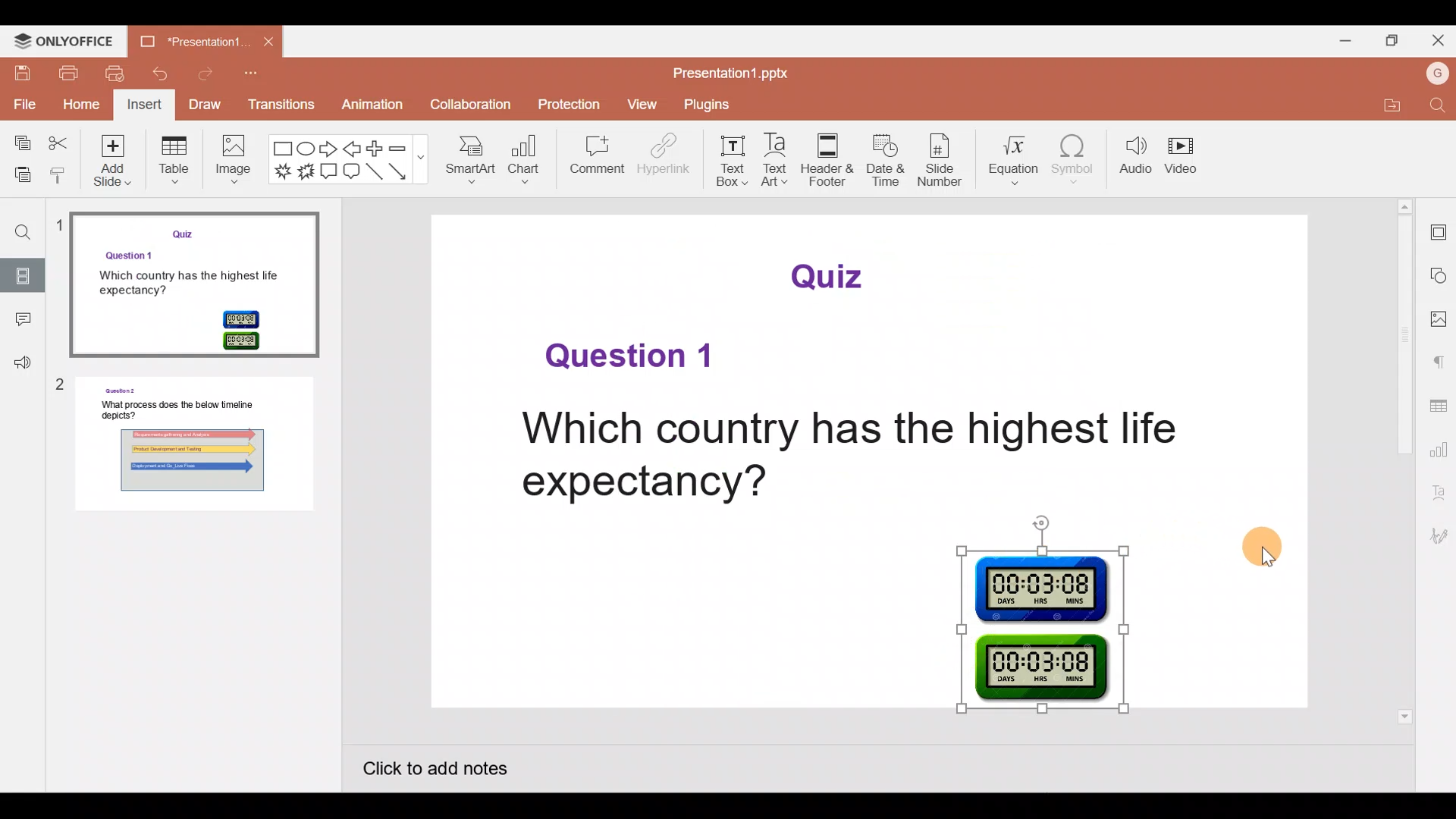 This screenshot has height=819, width=1456. Describe the element at coordinates (17, 364) in the screenshot. I see `Feedback & support` at that location.